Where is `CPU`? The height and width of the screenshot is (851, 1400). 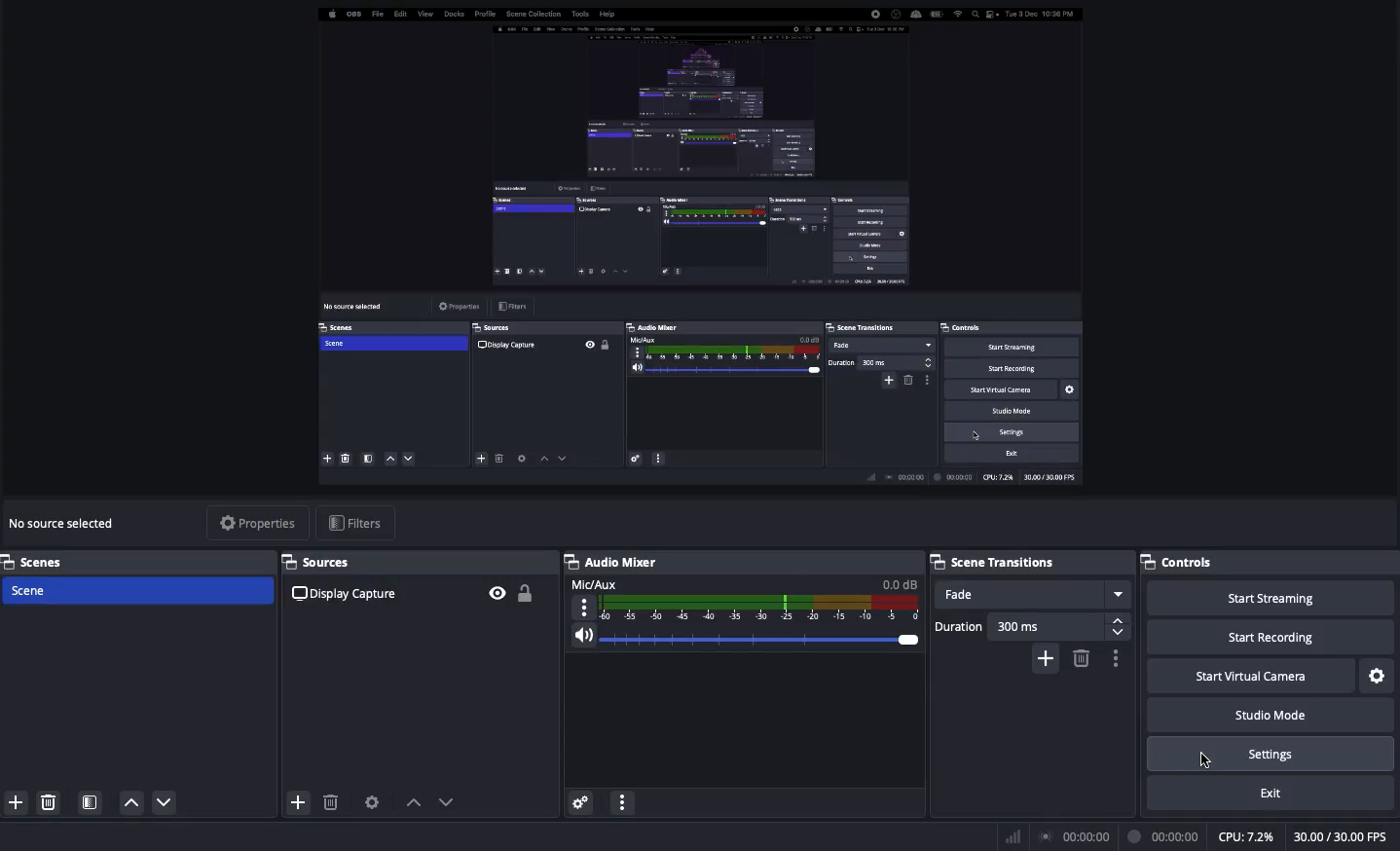 CPU is located at coordinates (1245, 837).